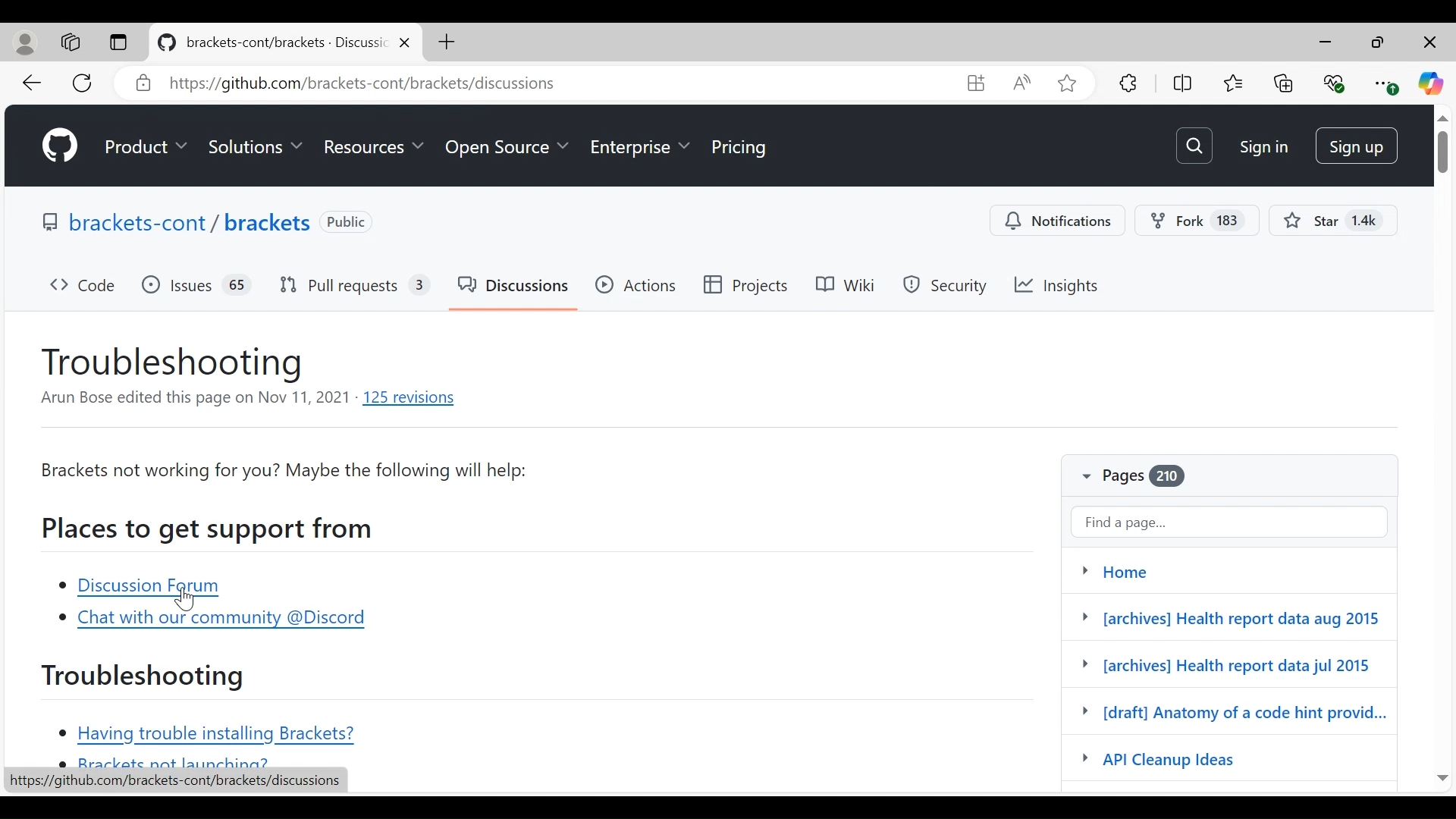 The height and width of the screenshot is (819, 1456). I want to click on Settings and more, so click(1385, 83).